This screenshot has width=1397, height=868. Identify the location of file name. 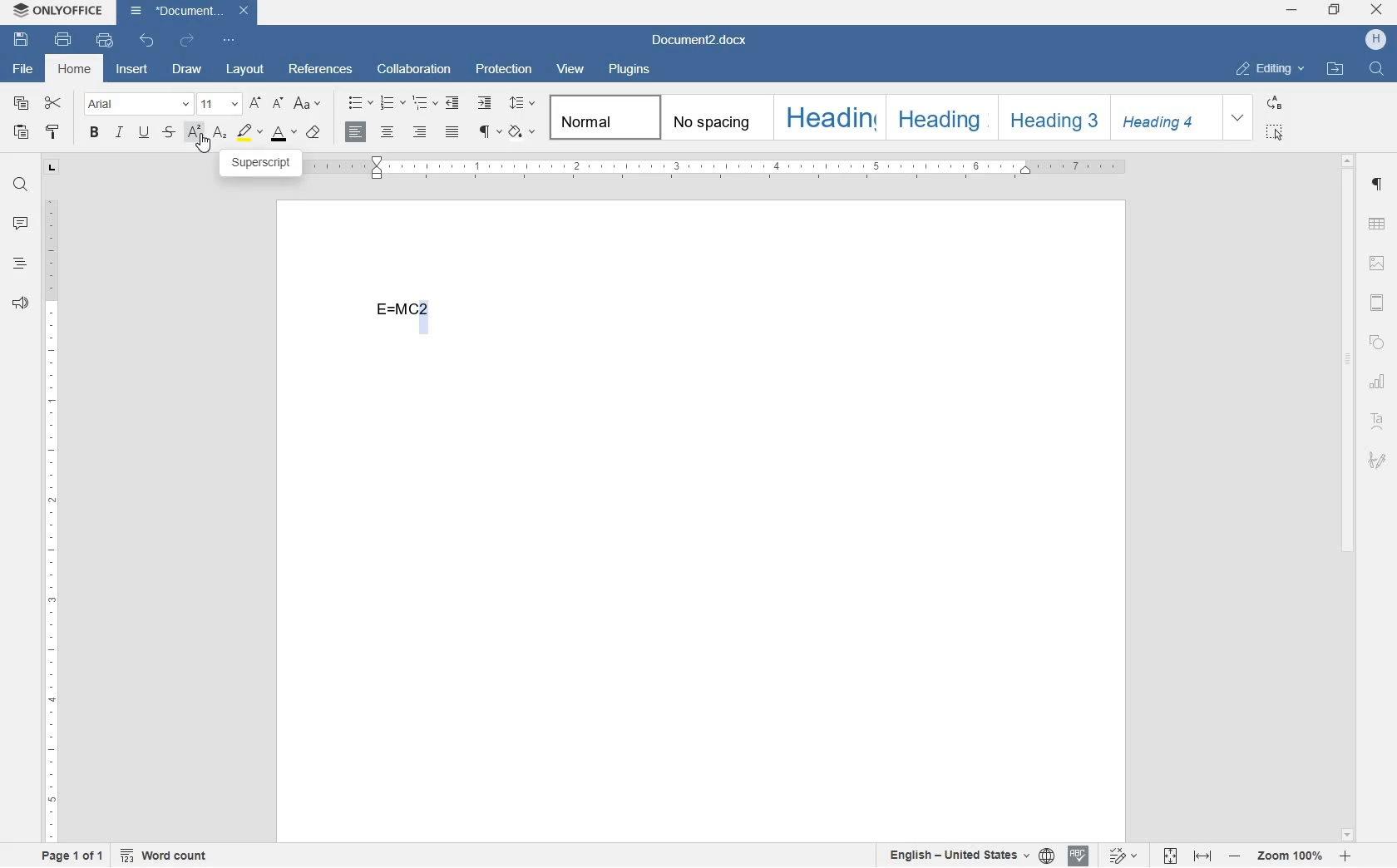
(705, 39).